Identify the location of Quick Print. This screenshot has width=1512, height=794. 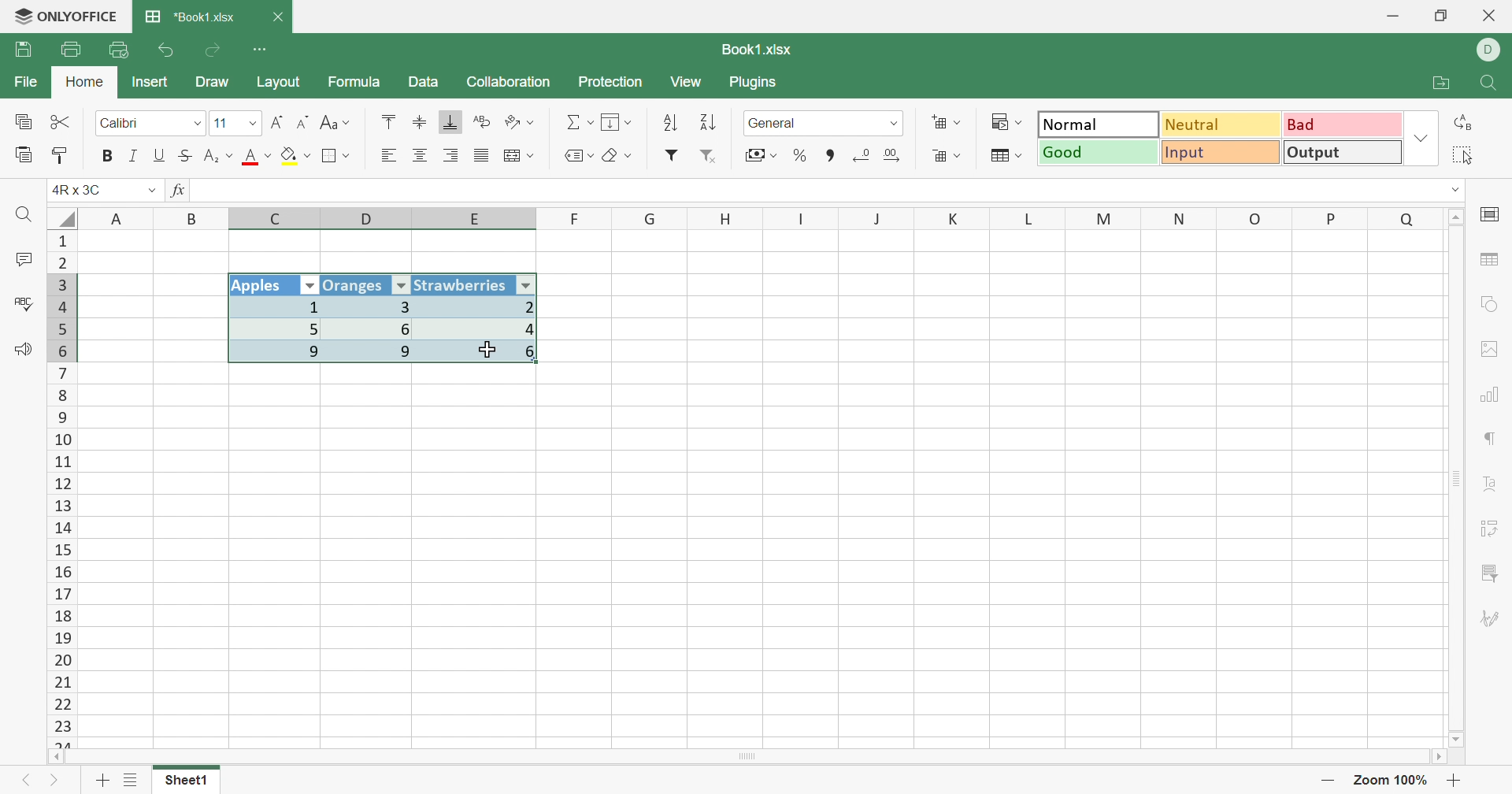
(120, 50).